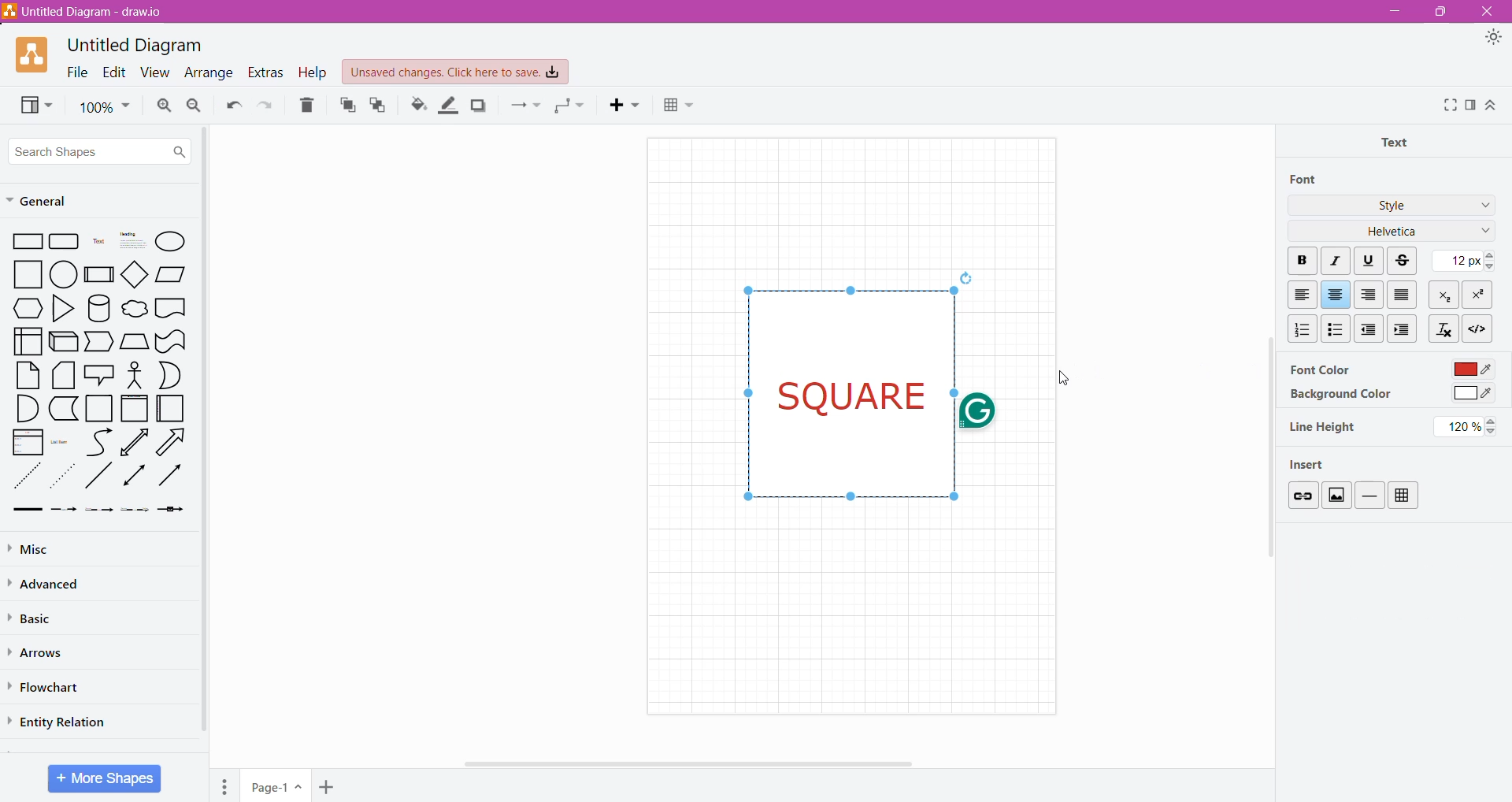 The image size is (1512, 802). Describe the element at coordinates (1335, 495) in the screenshot. I see `Image` at that location.